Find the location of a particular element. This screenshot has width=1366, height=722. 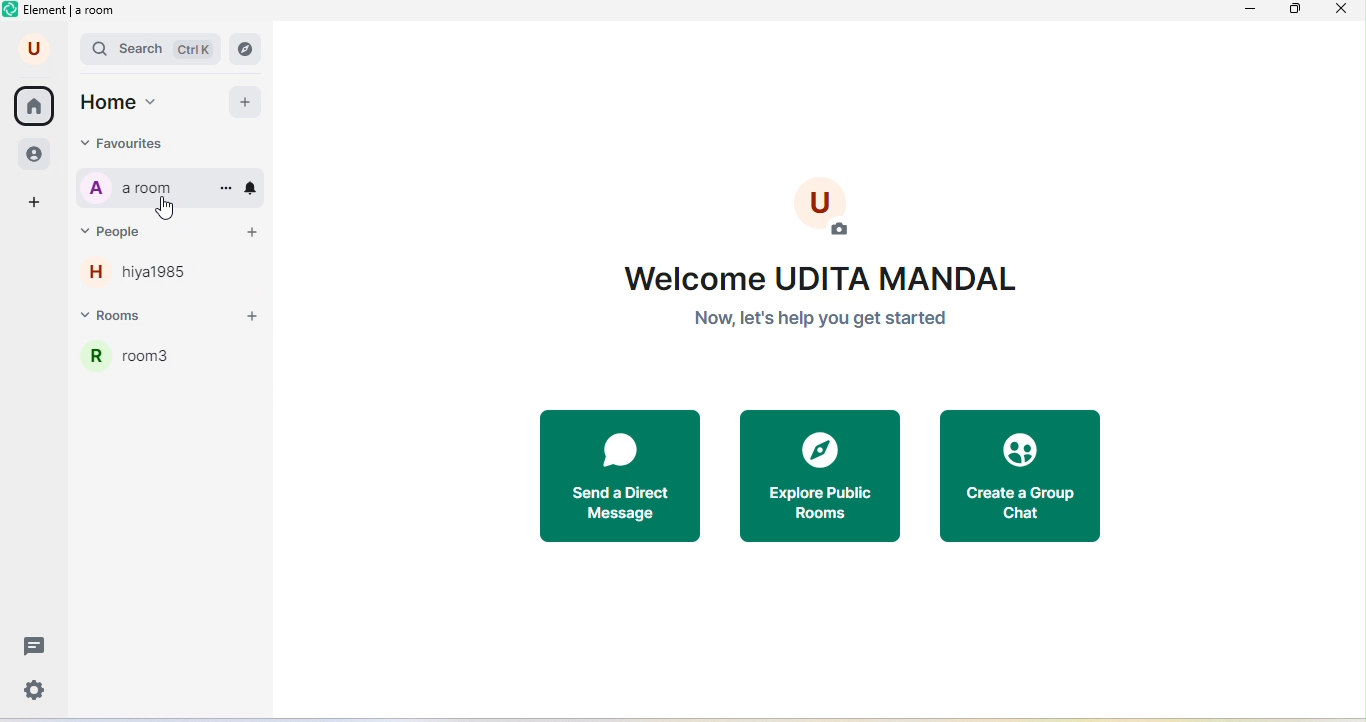

add room is located at coordinates (257, 317).